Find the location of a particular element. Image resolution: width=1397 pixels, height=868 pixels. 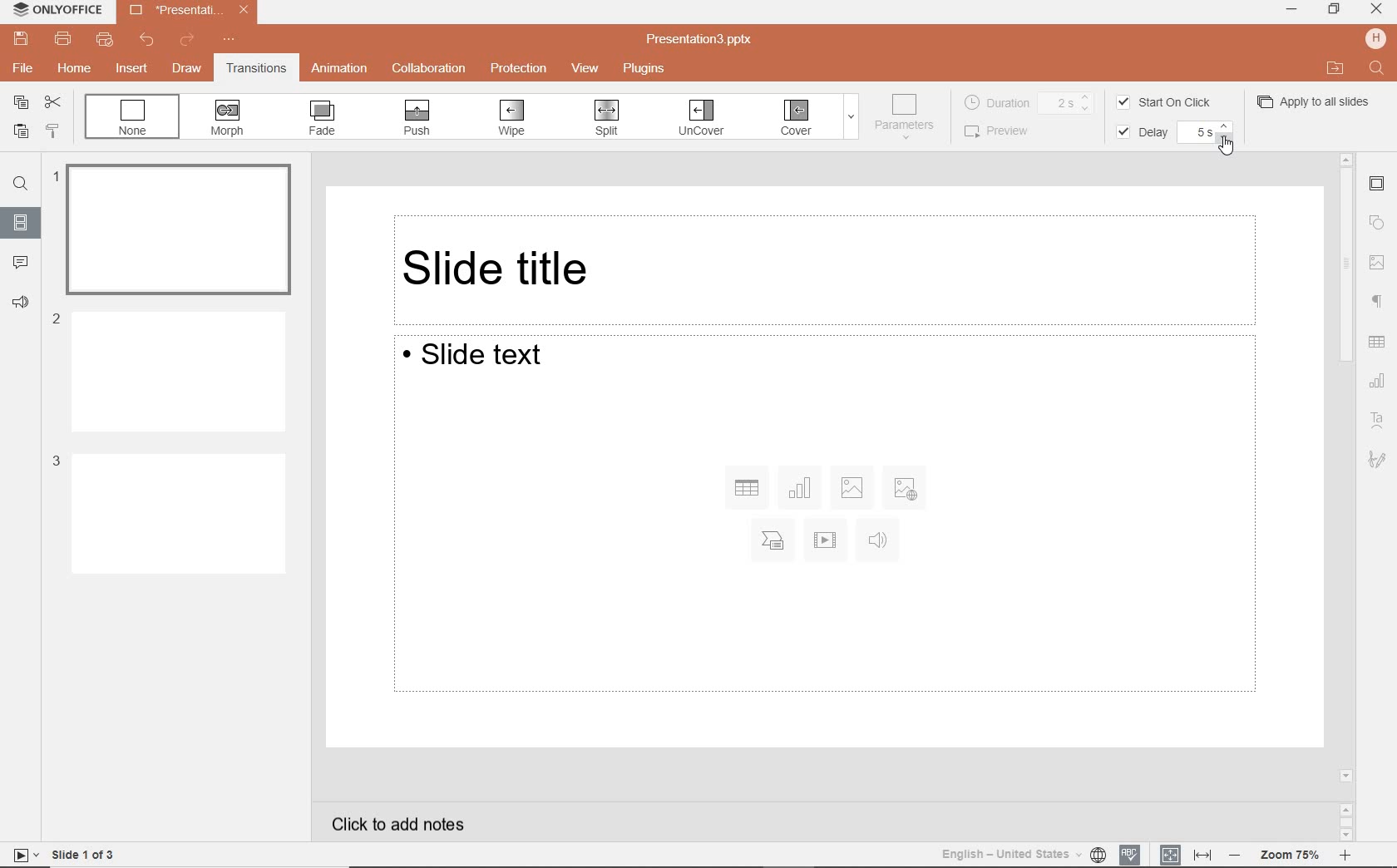

NONE is located at coordinates (132, 116).